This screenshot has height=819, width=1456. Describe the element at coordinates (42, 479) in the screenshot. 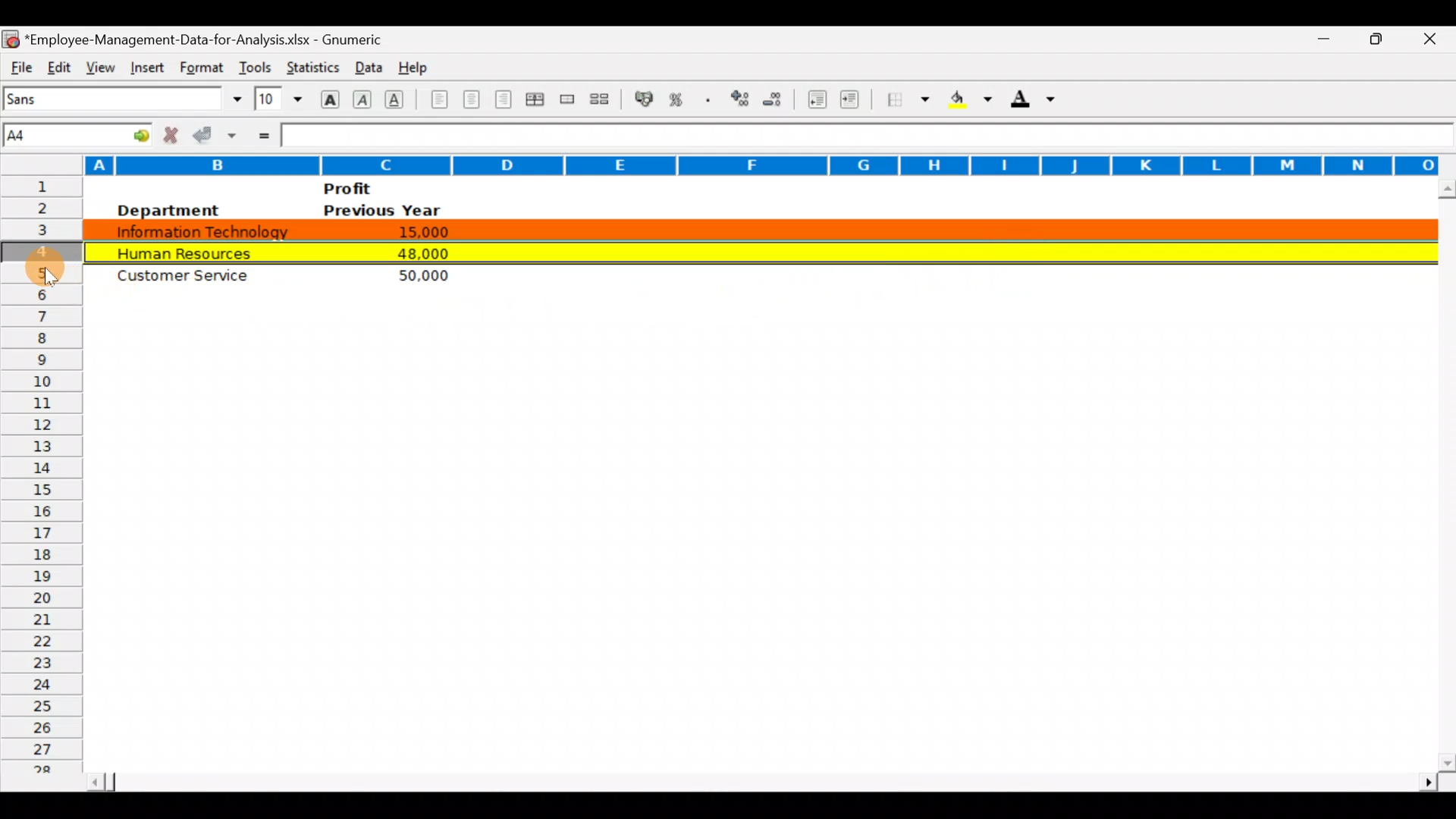

I see `Rows` at that location.